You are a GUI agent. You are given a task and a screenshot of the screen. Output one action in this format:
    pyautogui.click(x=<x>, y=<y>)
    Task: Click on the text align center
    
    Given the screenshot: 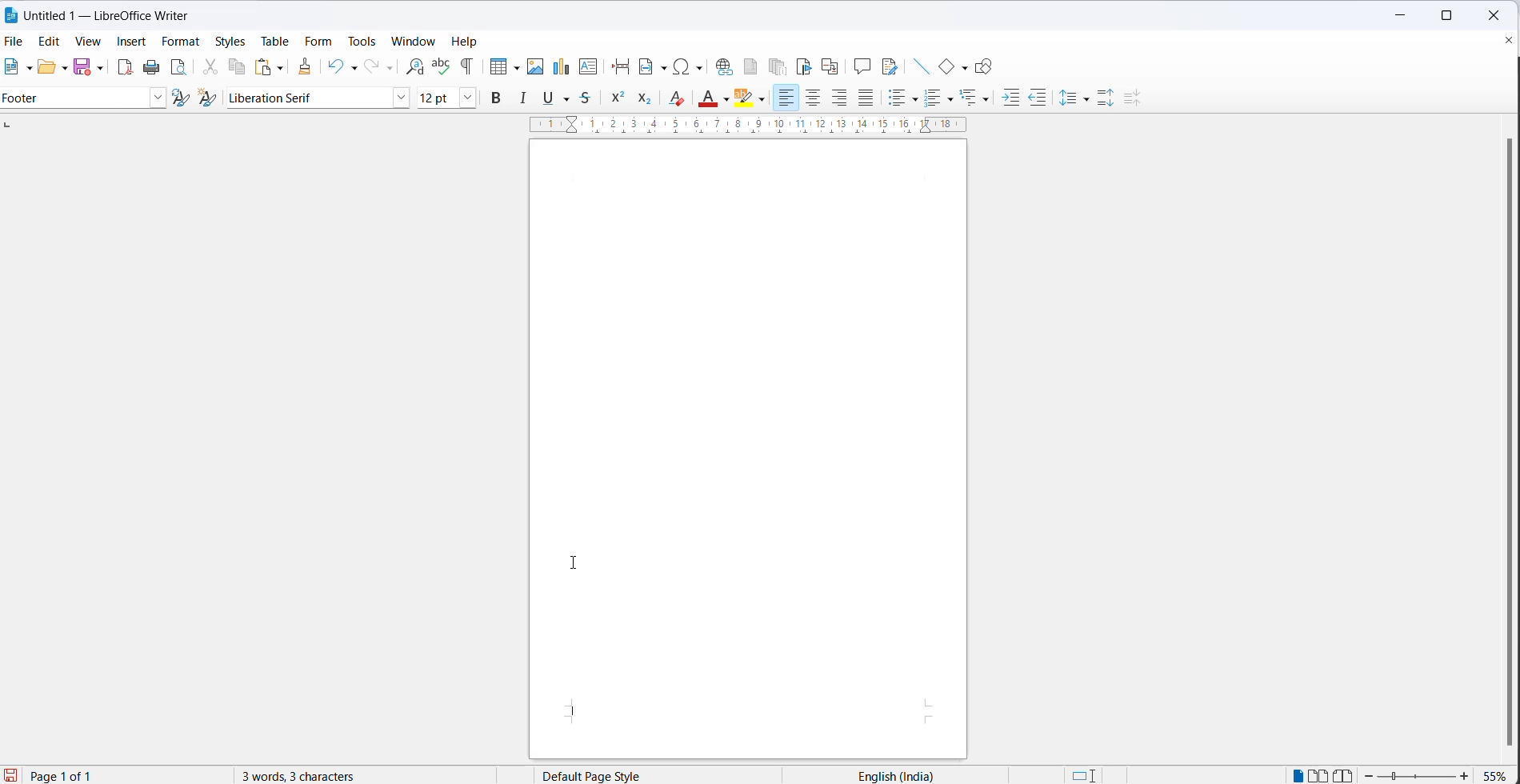 What is the action you would take?
    pyautogui.click(x=812, y=99)
    